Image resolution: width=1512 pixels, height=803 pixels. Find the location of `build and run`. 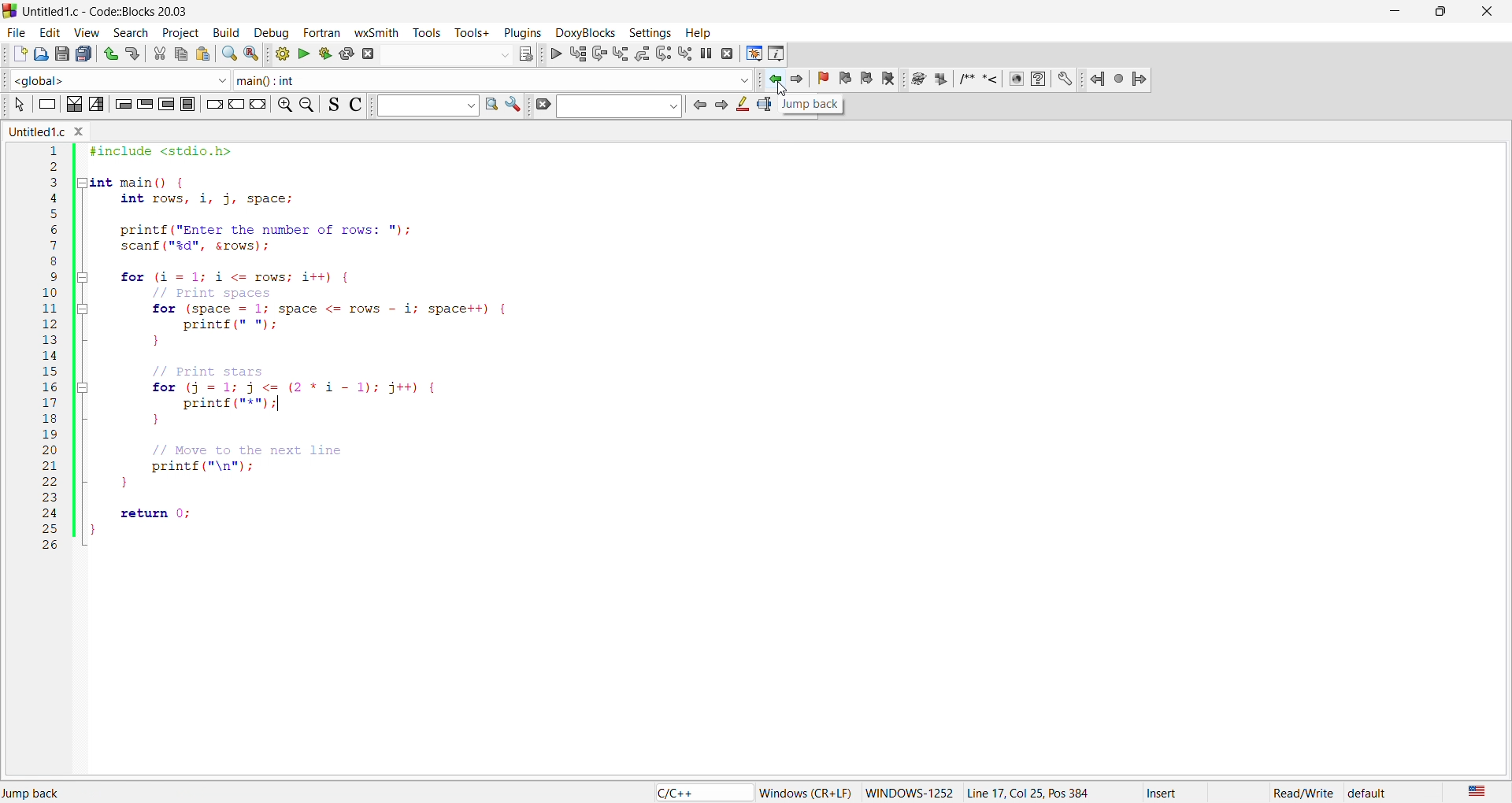

build and run is located at coordinates (324, 54).